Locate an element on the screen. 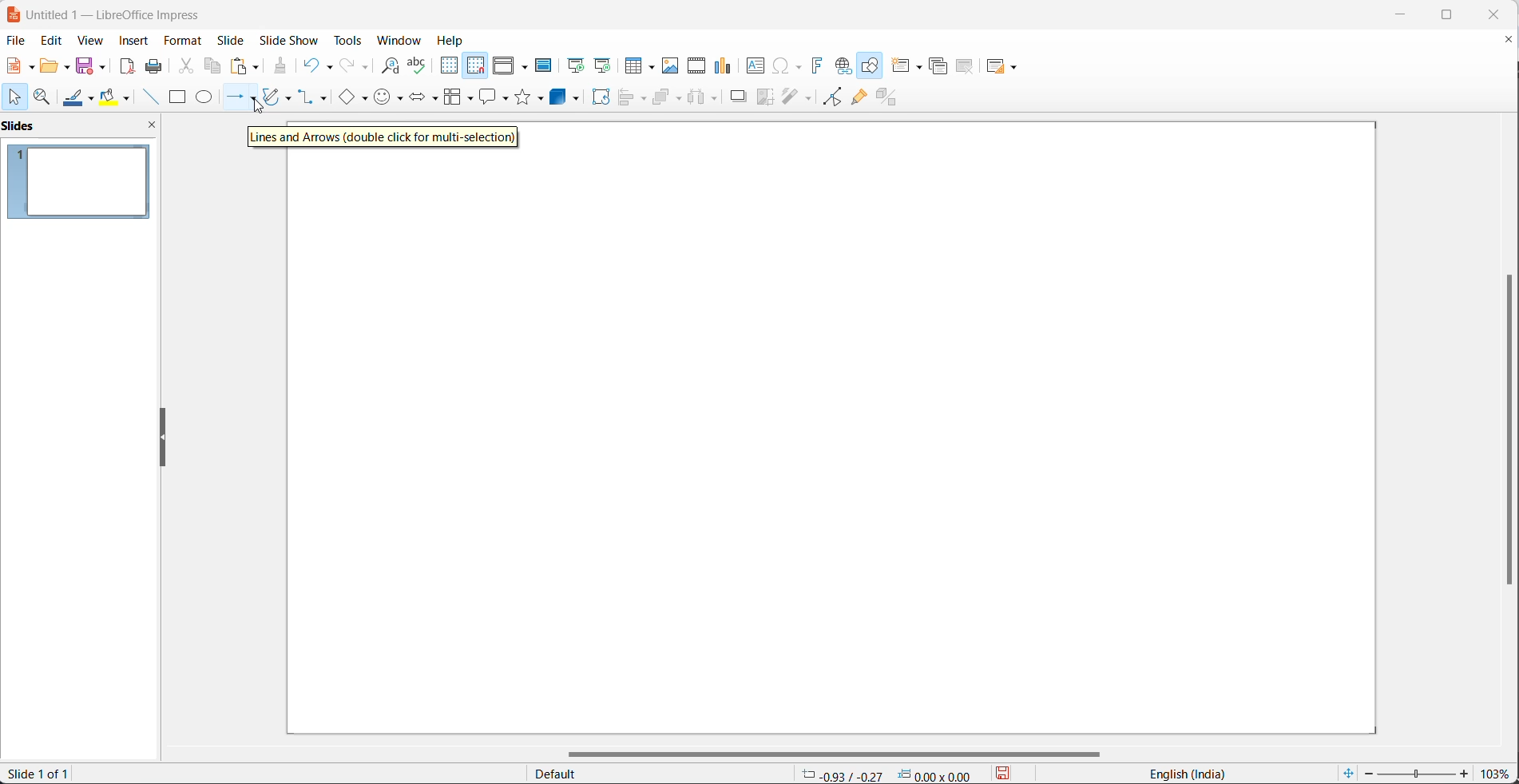 This screenshot has width=1519, height=784. slide show is located at coordinates (286, 41).